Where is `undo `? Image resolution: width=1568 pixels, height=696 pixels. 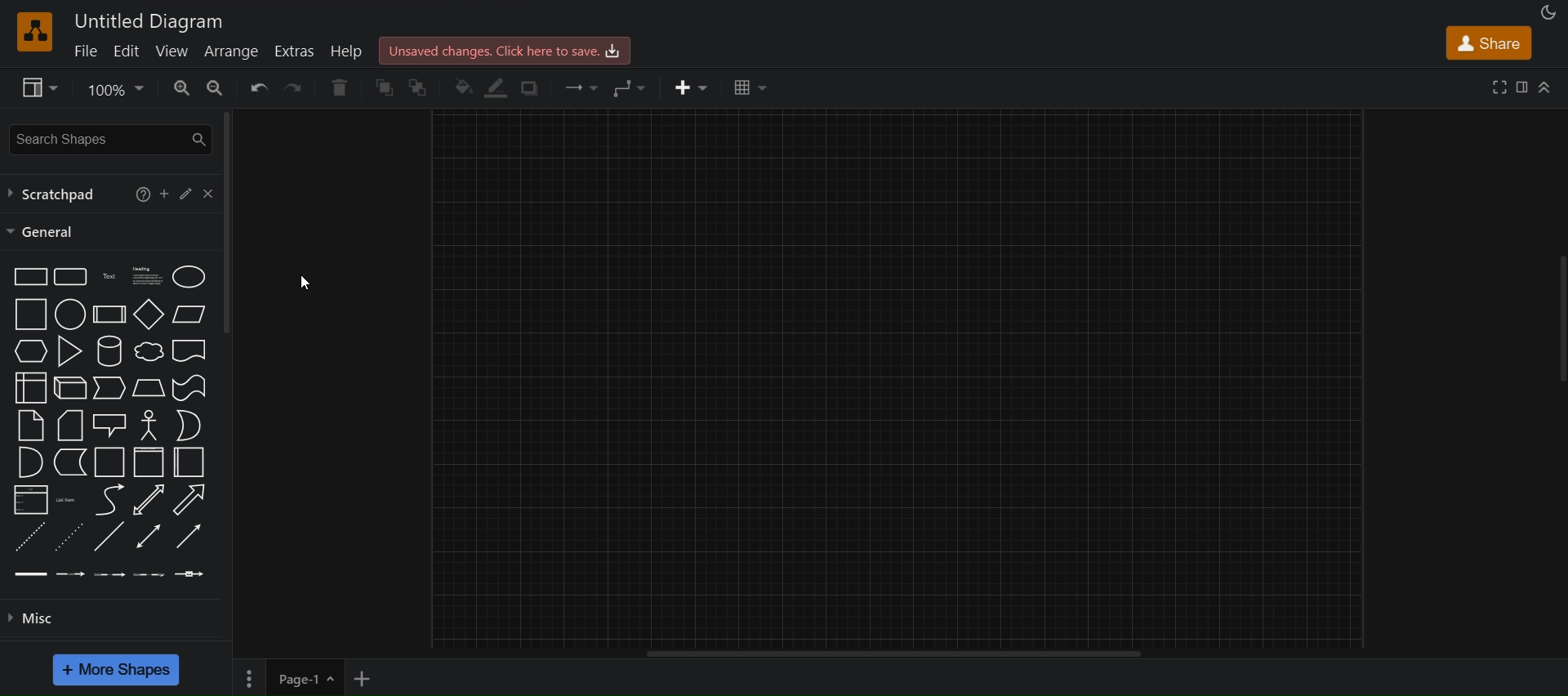 undo  is located at coordinates (257, 90).